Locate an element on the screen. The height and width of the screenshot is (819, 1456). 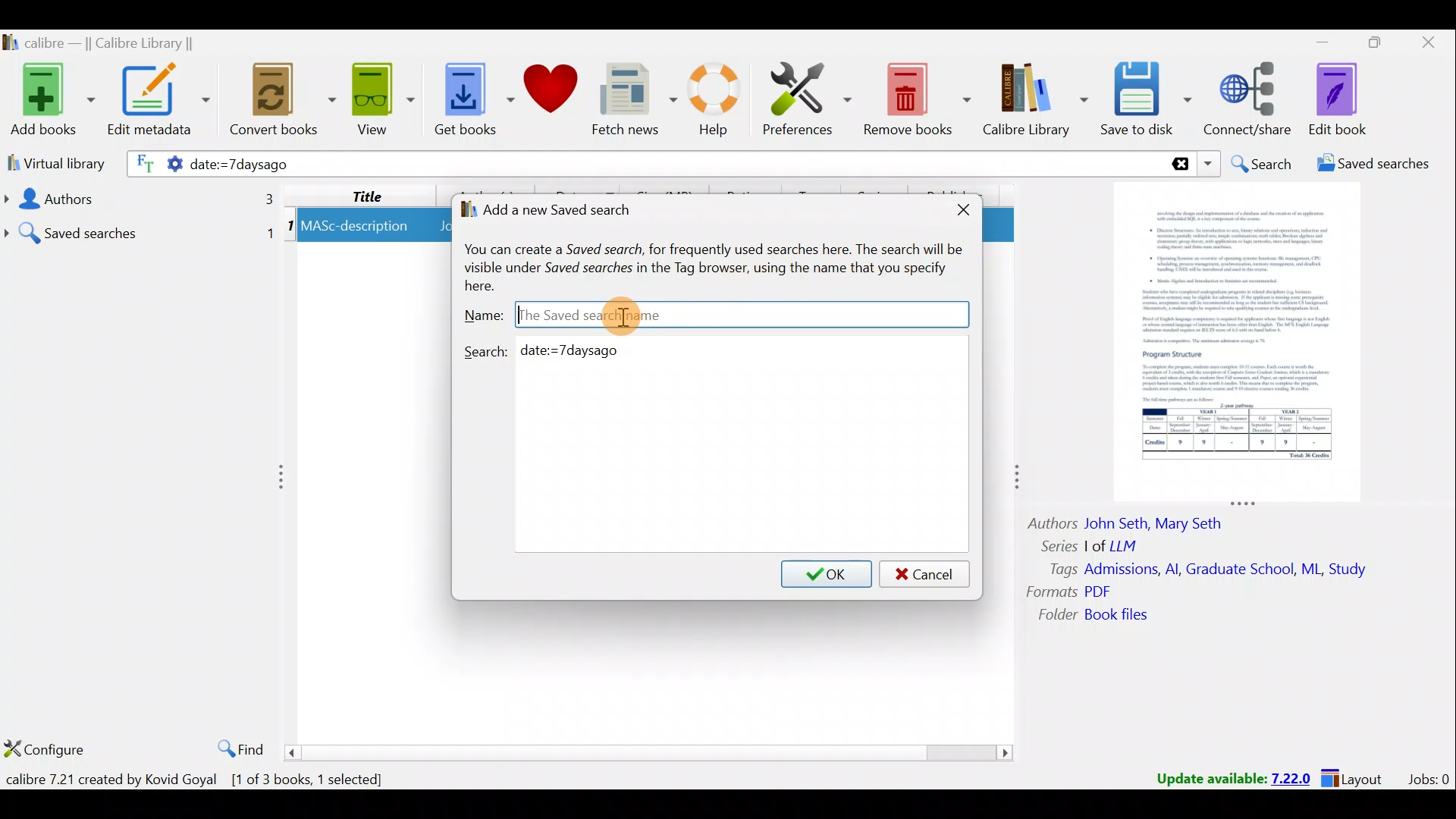
Saved searches is located at coordinates (1369, 164).